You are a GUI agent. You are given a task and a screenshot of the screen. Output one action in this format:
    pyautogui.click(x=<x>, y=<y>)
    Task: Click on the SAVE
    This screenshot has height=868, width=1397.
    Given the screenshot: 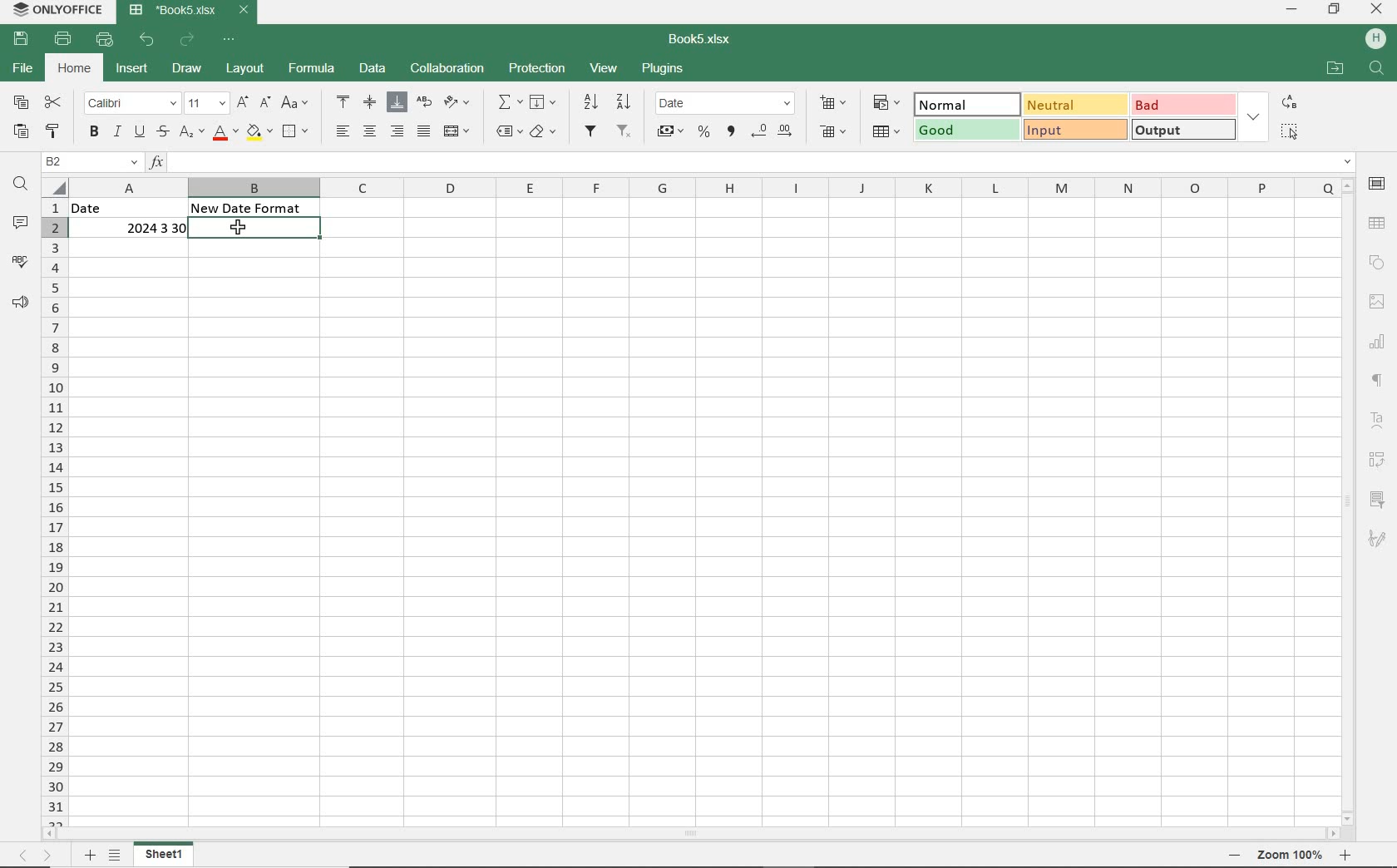 What is the action you would take?
    pyautogui.click(x=22, y=38)
    